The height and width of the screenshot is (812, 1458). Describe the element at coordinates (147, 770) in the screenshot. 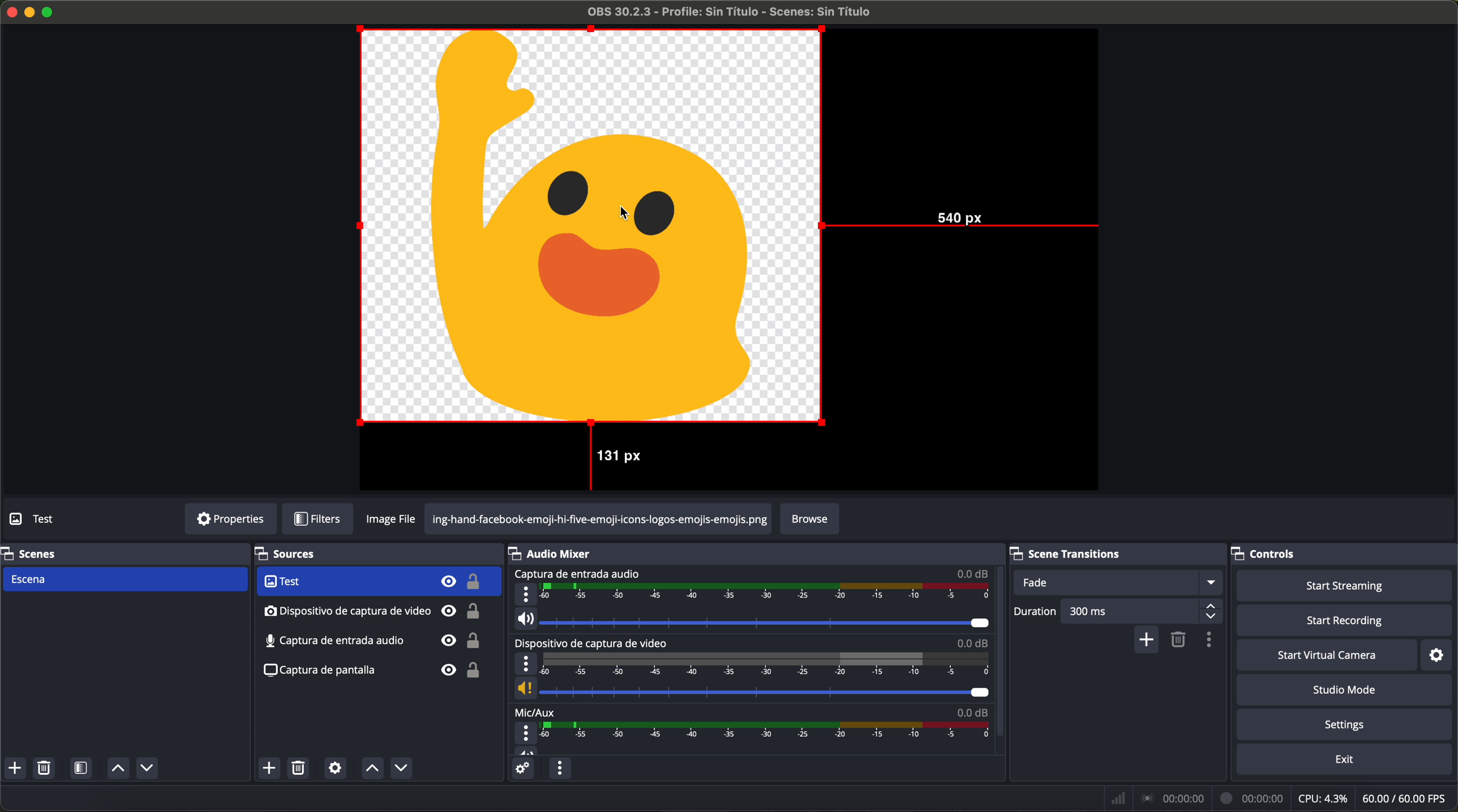

I see `move scene down` at that location.